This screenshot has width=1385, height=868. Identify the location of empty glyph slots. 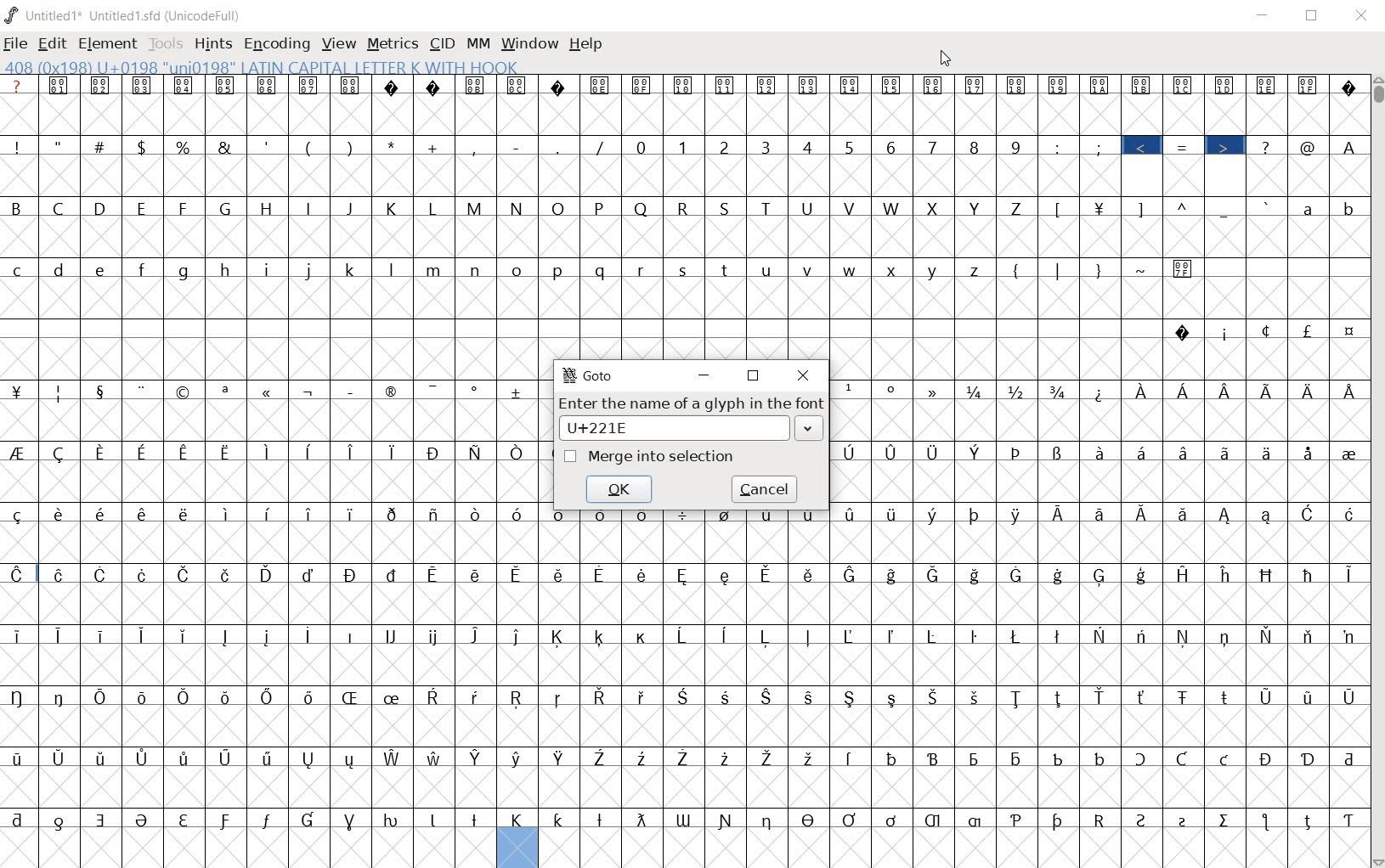
(686, 544).